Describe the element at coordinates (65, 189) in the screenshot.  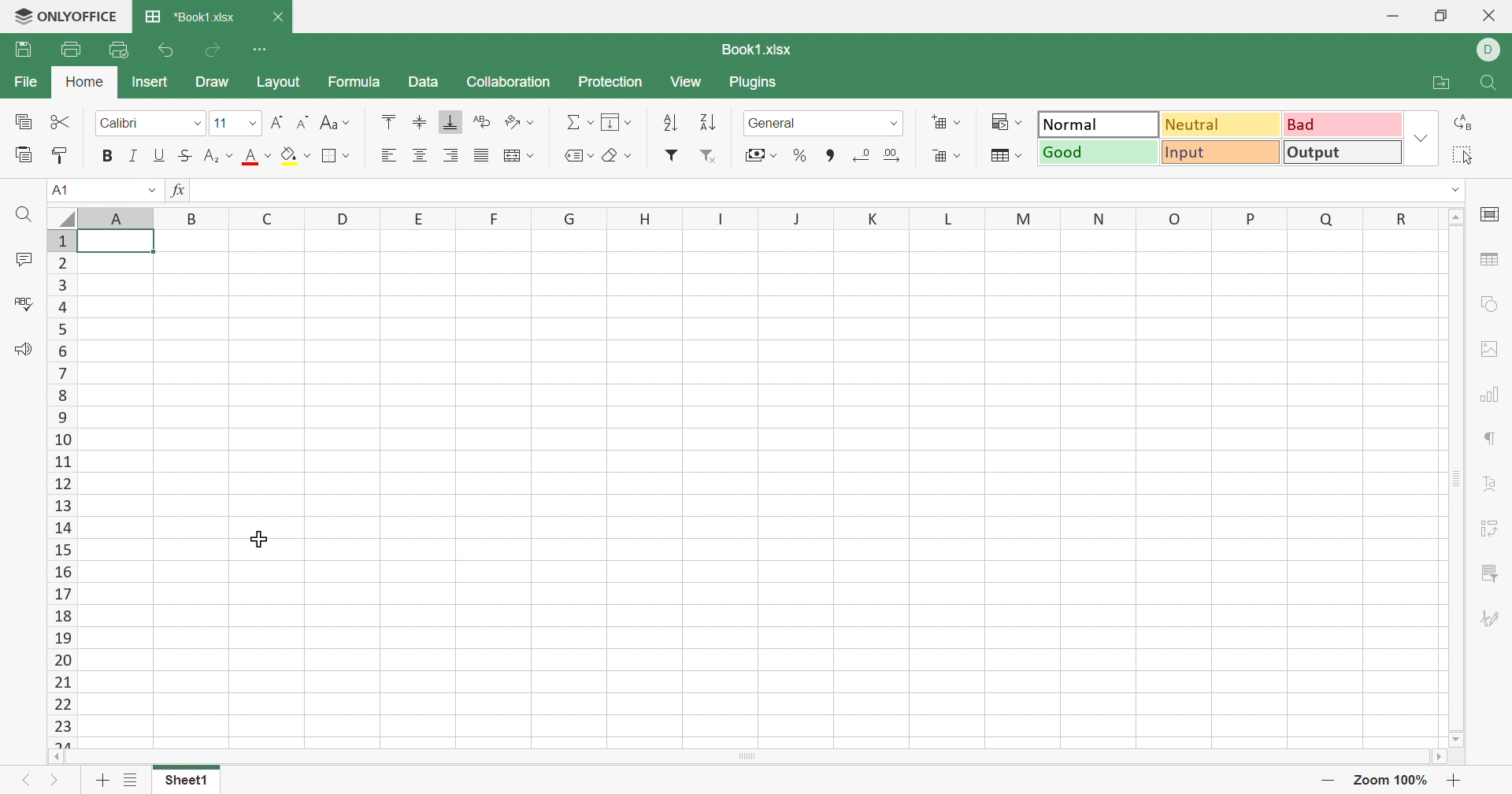
I see `A1` at that location.